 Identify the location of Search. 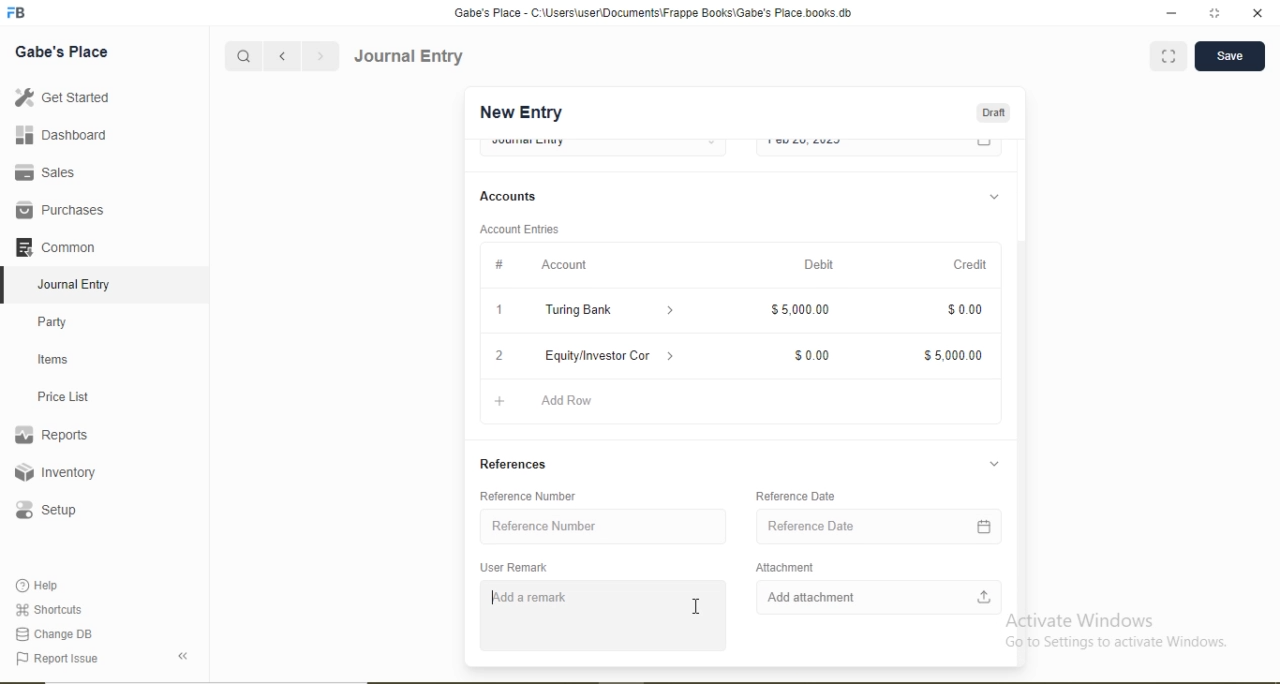
(242, 57).